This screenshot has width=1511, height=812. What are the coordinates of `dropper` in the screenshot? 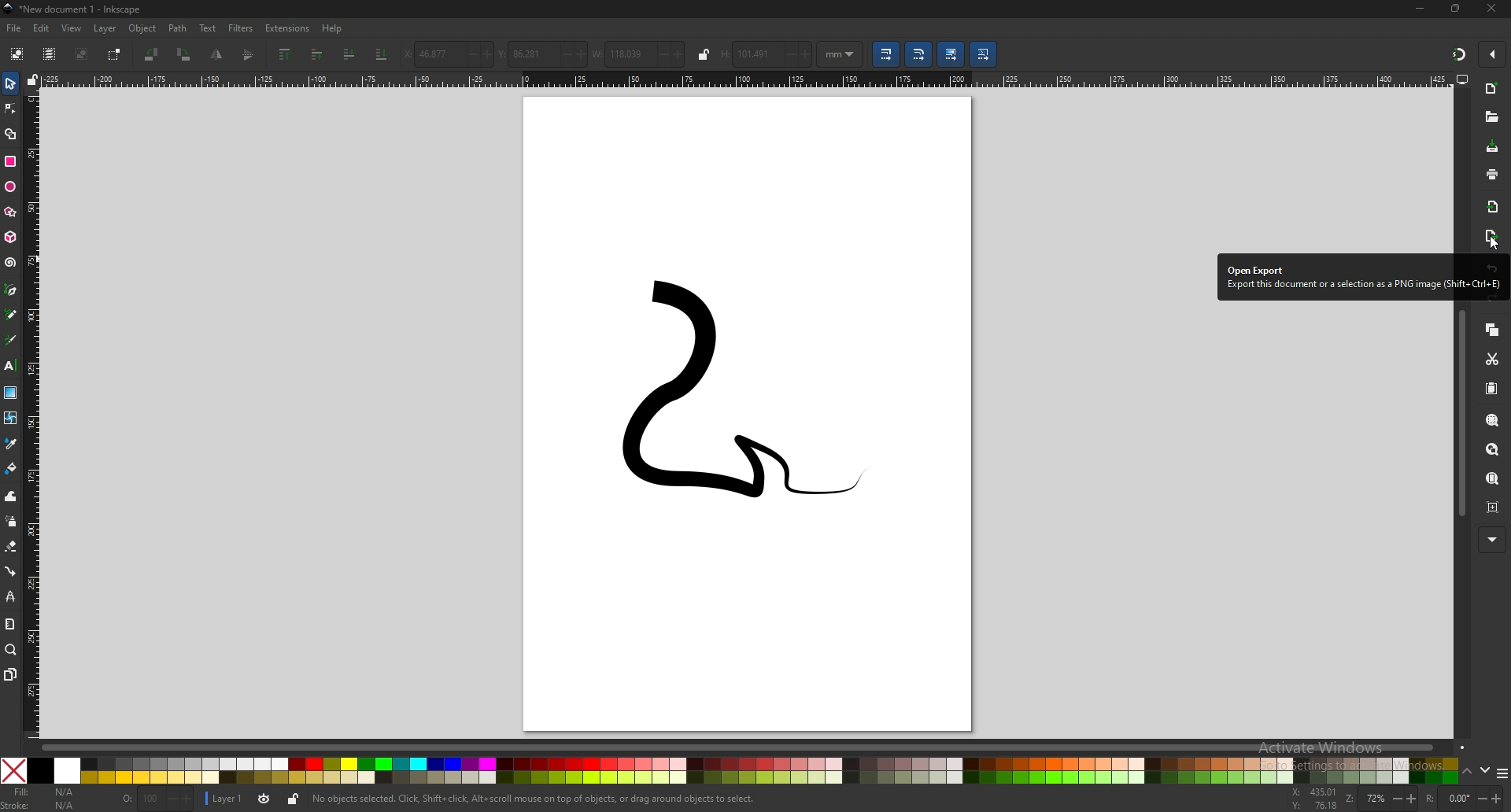 It's located at (11, 443).